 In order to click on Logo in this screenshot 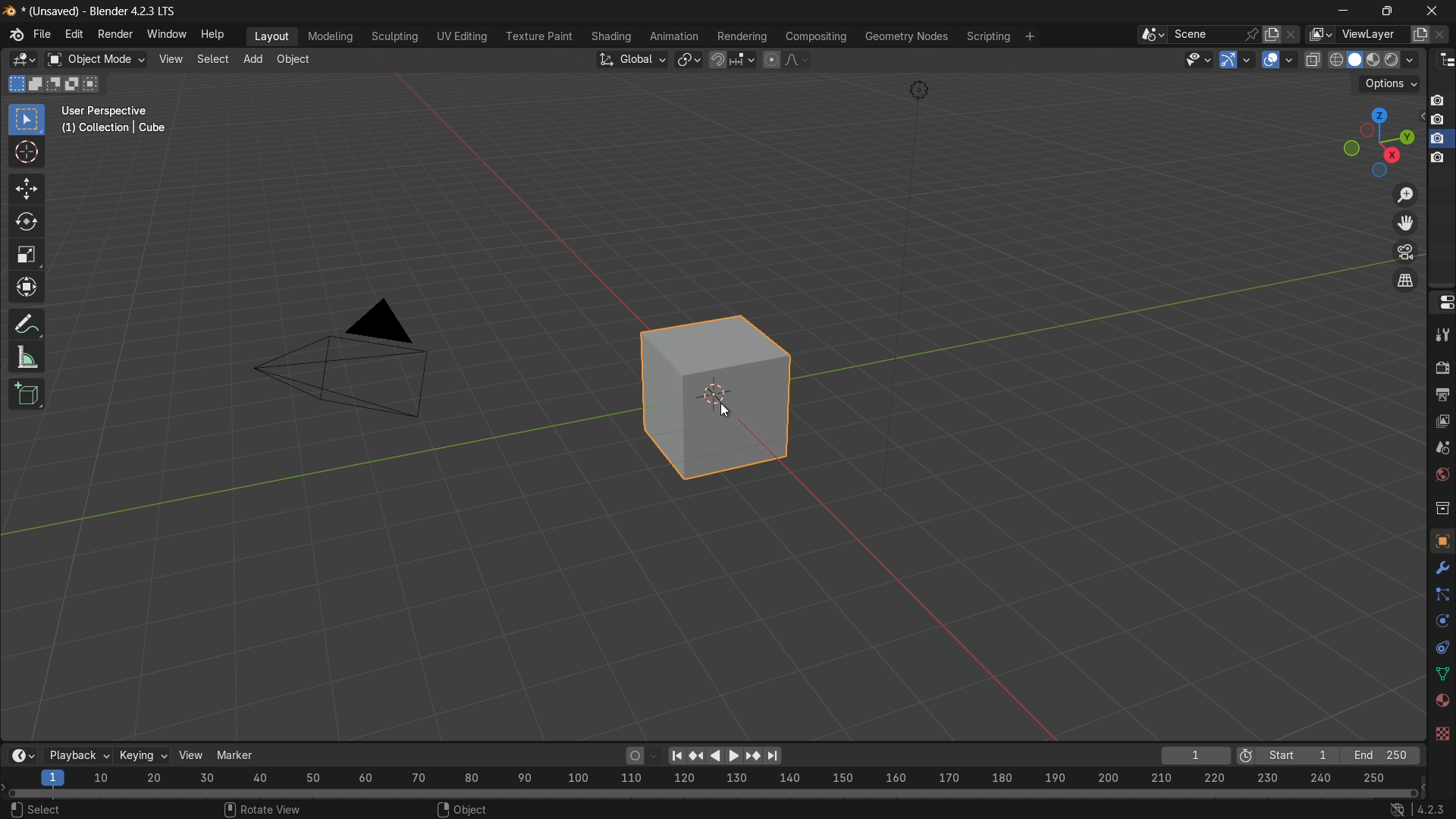, I will do `click(12, 35)`.